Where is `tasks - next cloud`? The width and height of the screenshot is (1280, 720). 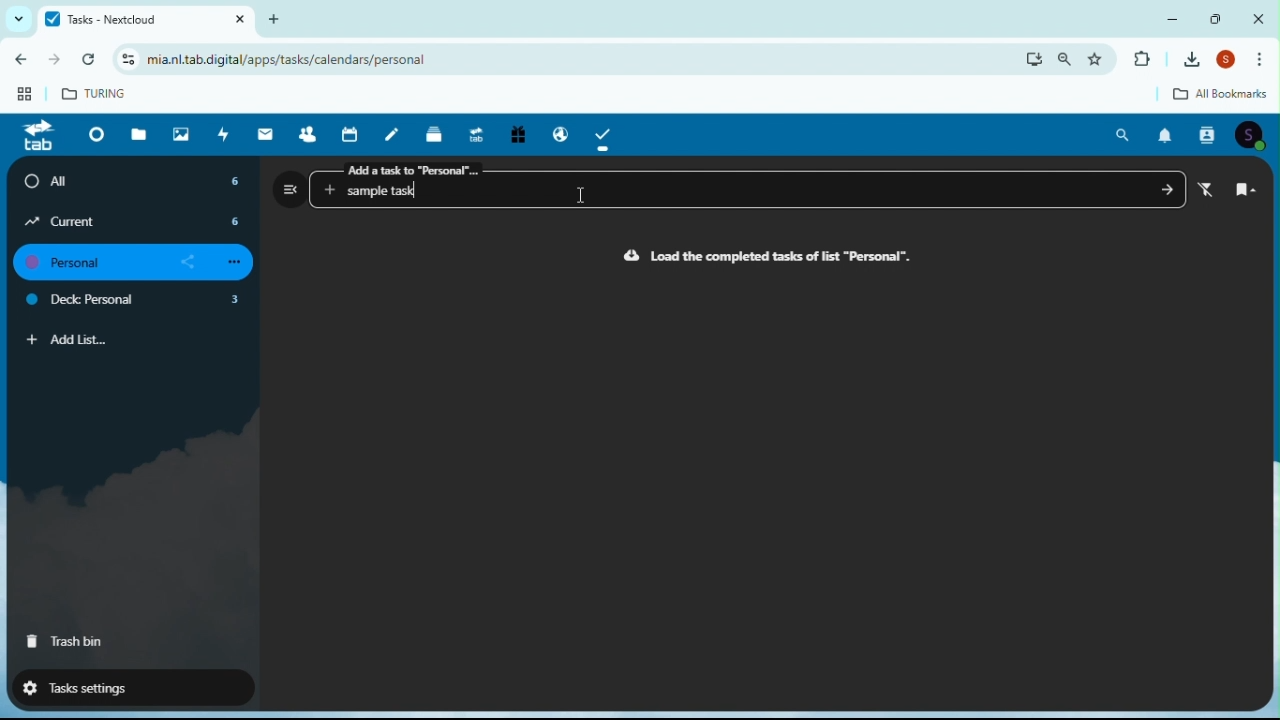 tasks - next cloud is located at coordinates (143, 19).